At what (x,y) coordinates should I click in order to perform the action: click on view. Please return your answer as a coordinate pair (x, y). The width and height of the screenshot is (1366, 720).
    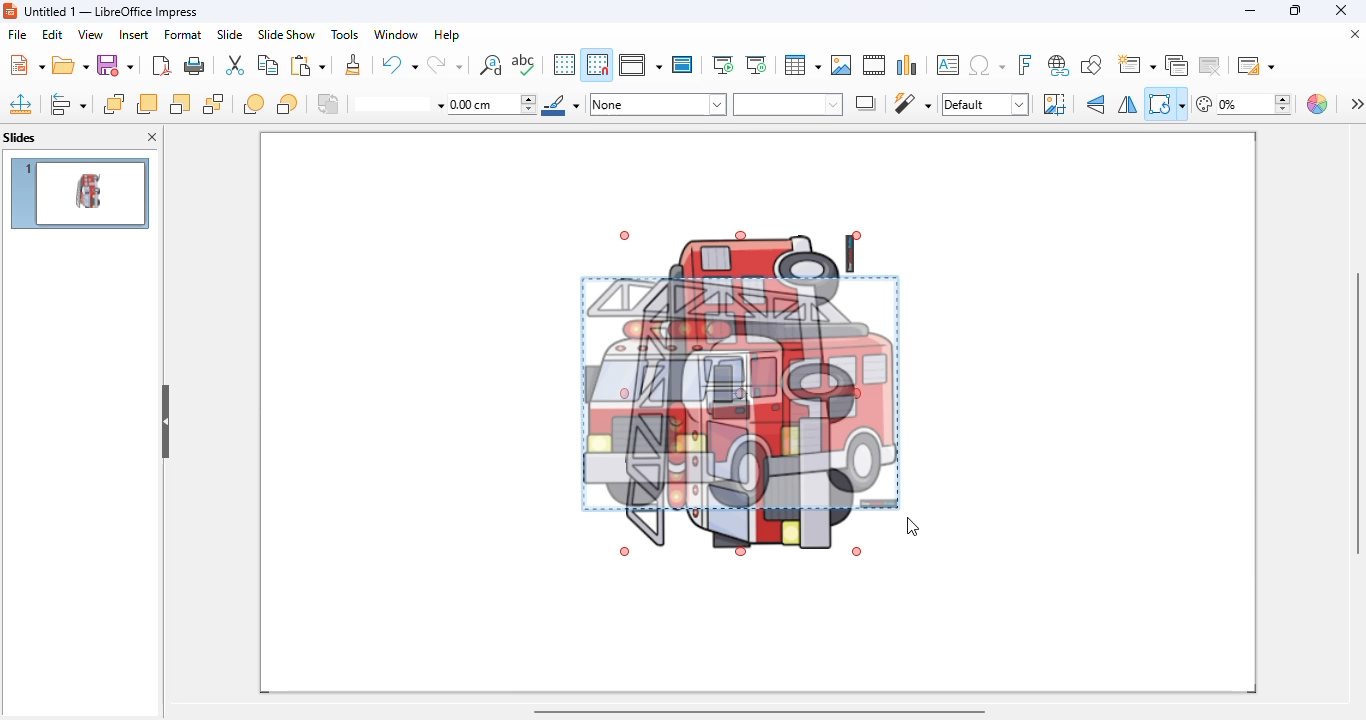
    Looking at the image, I should click on (90, 35).